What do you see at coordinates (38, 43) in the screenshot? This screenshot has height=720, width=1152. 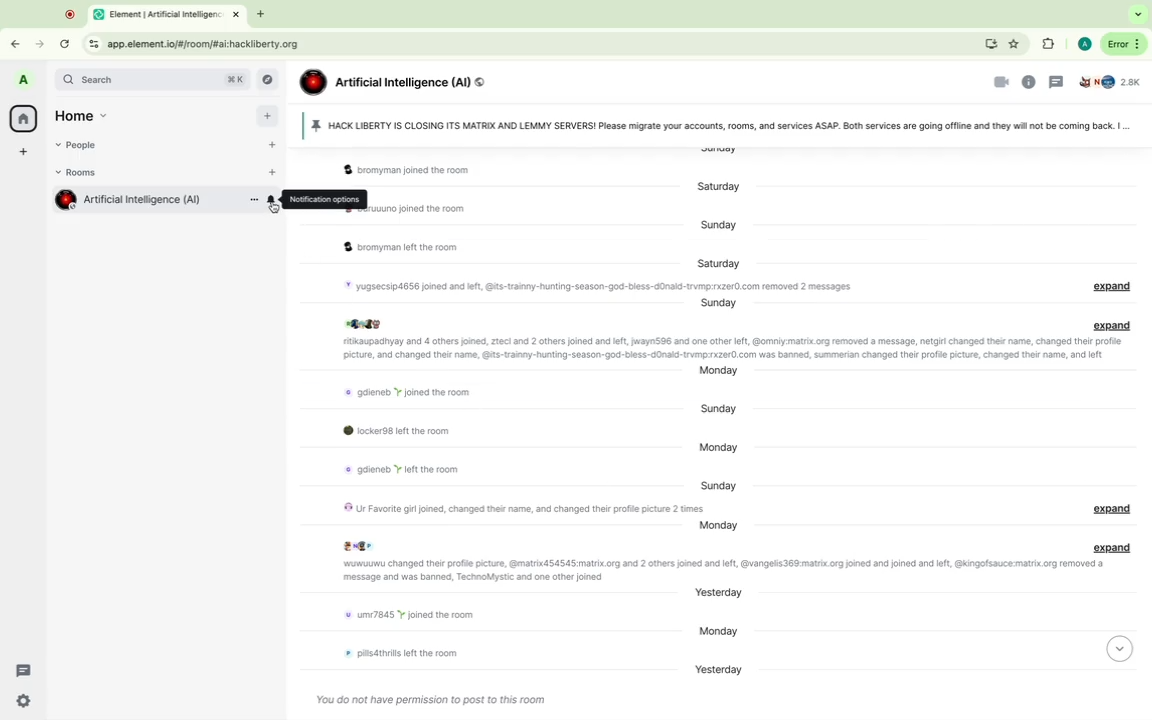 I see `Forward` at bounding box center [38, 43].